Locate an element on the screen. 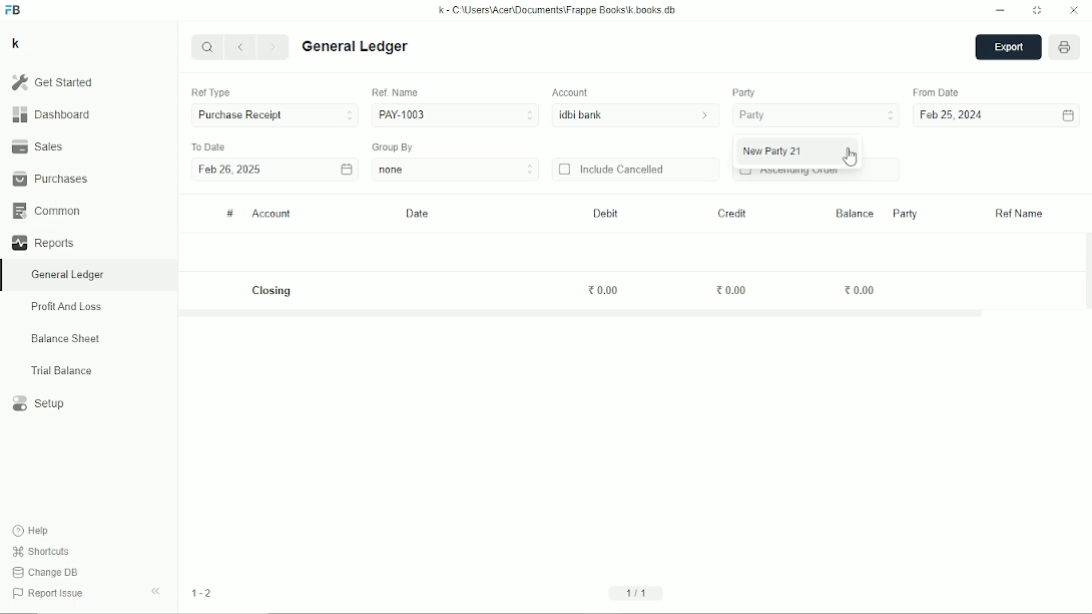 This screenshot has width=1092, height=614. PAY-1003 is located at coordinates (455, 114).